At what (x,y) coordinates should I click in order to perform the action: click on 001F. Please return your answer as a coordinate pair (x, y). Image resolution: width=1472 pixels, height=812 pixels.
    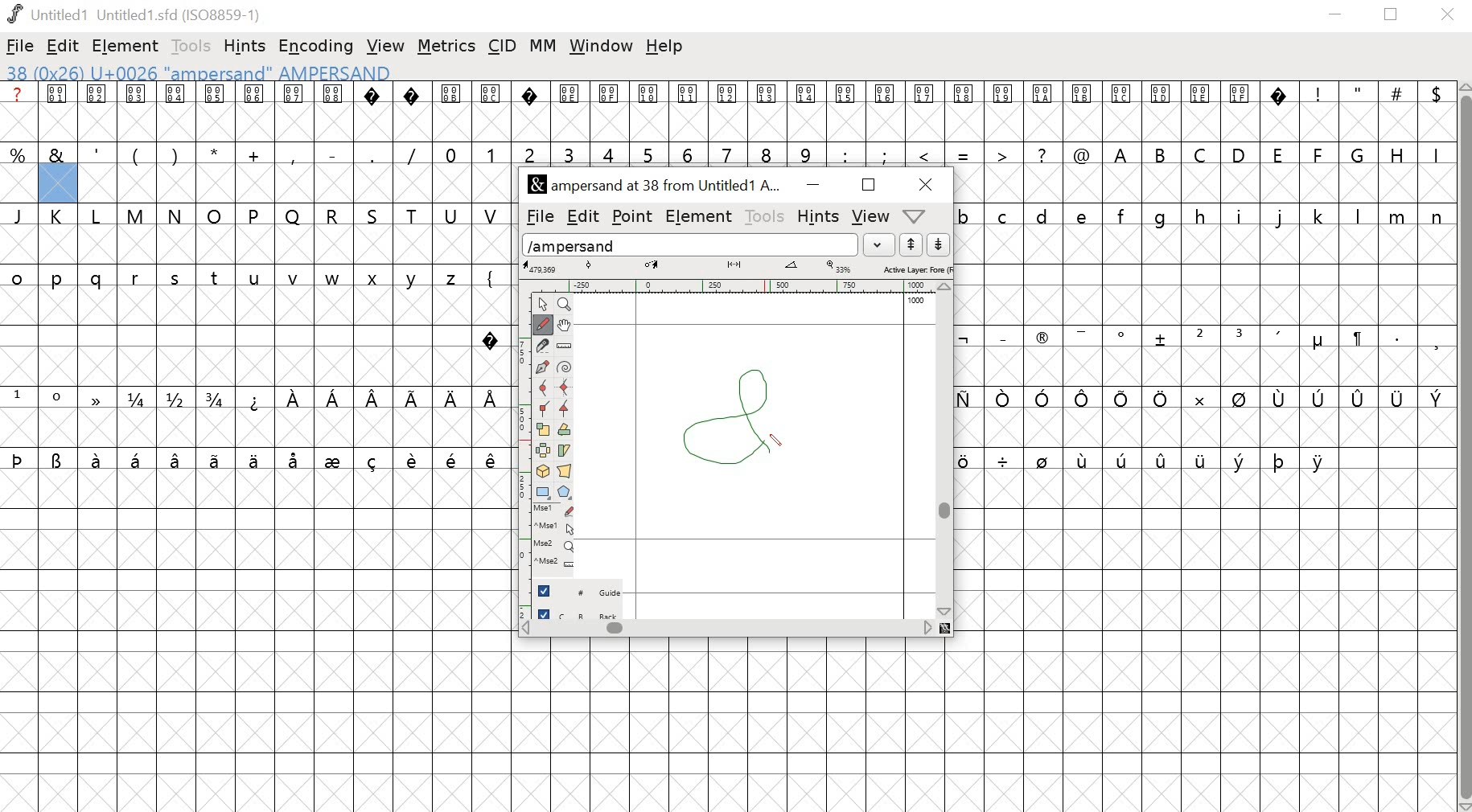
    Looking at the image, I should click on (1240, 111).